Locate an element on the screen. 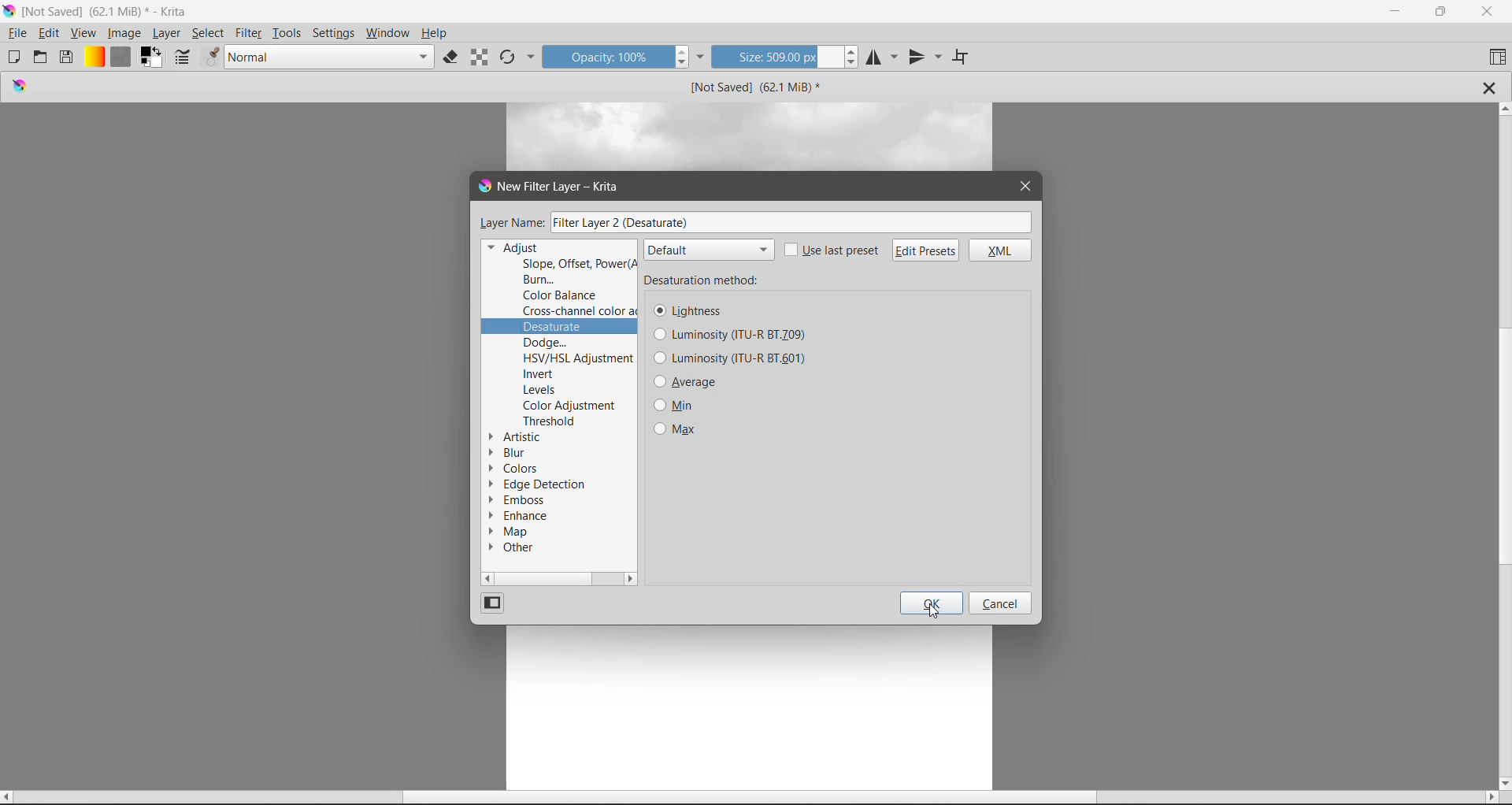  Settings is located at coordinates (334, 32).